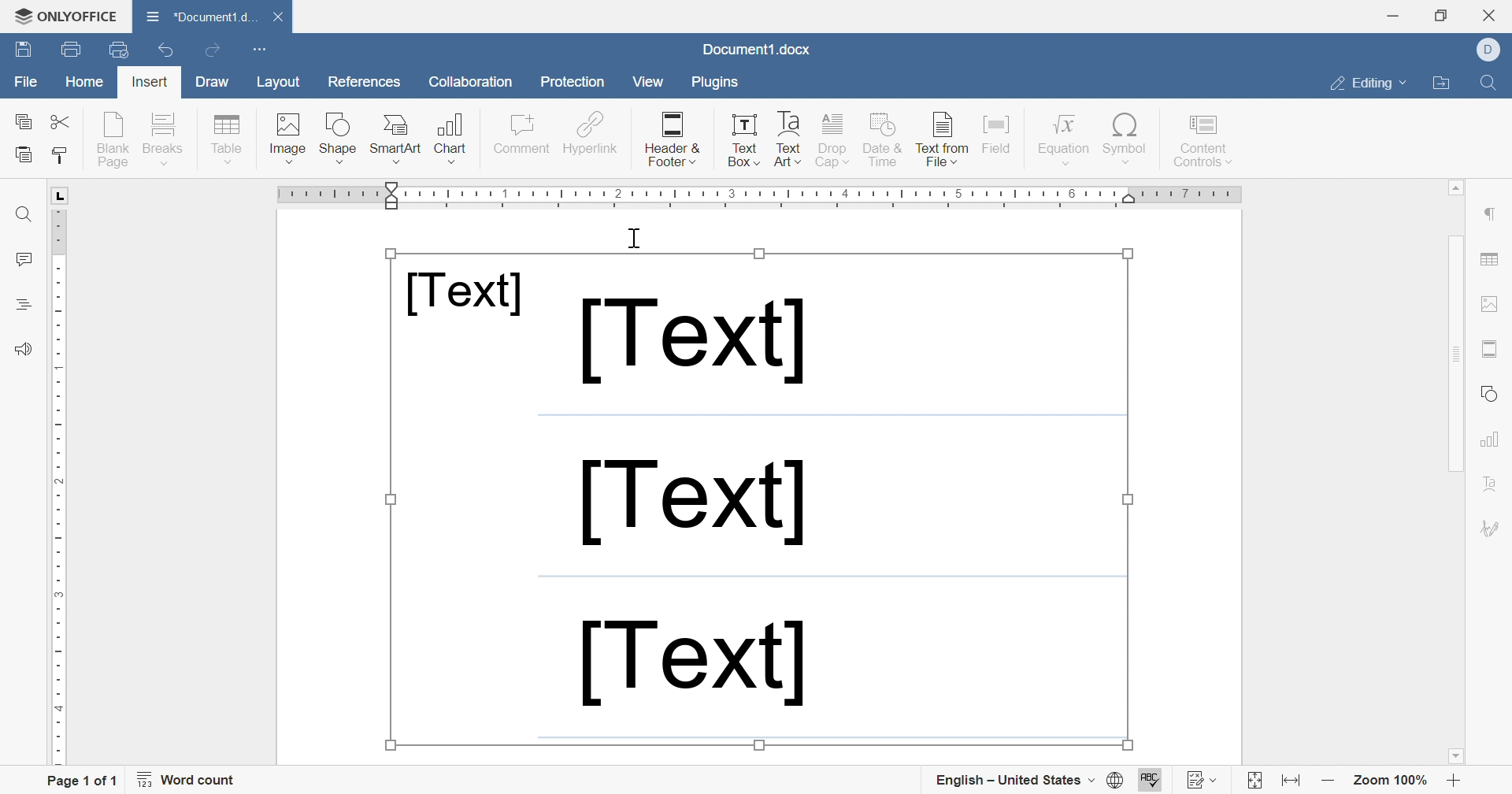  Describe the element at coordinates (362, 83) in the screenshot. I see `References` at that location.